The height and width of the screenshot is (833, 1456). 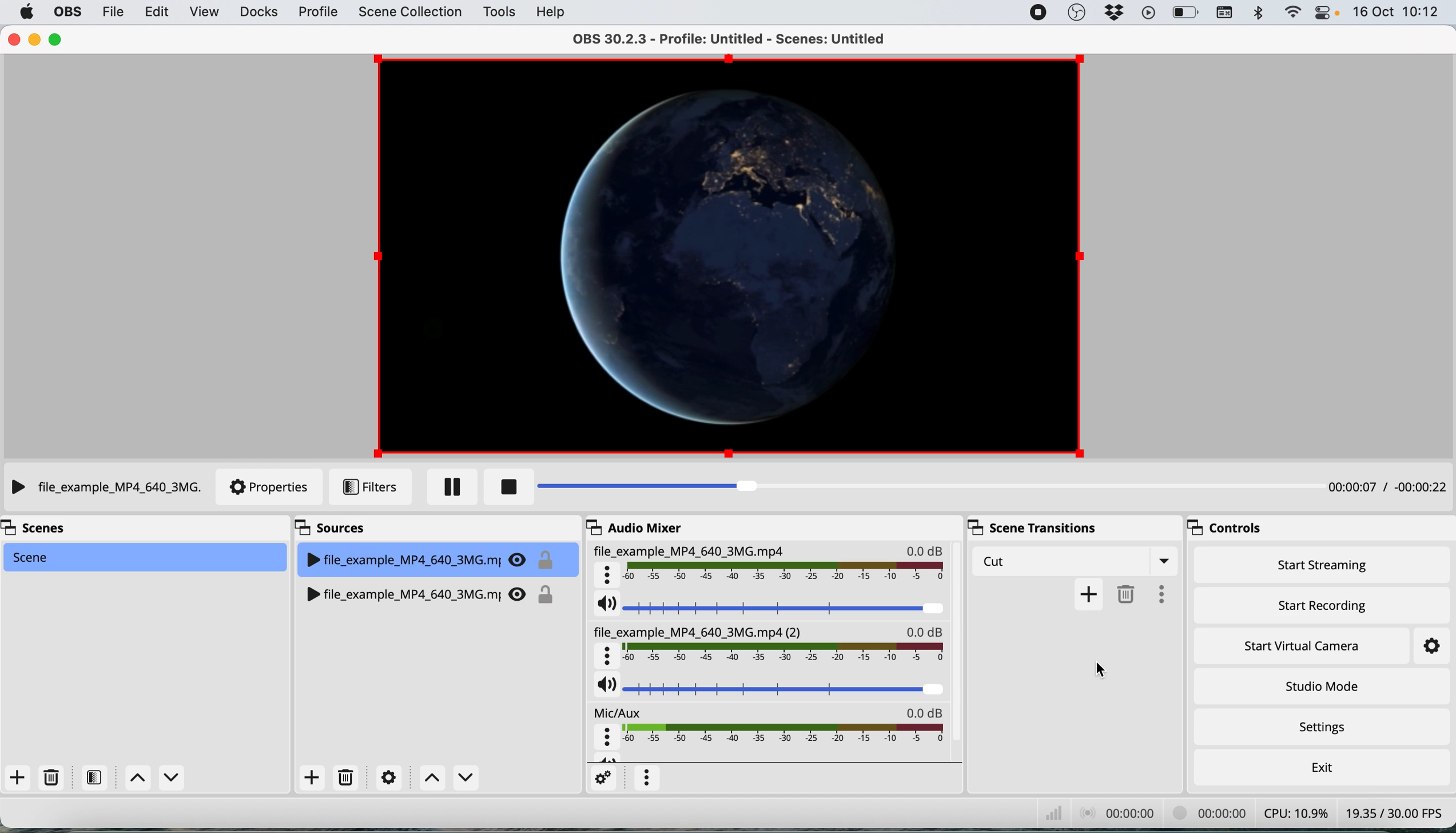 What do you see at coordinates (1434, 645) in the screenshot?
I see `settings` at bounding box center [1434, 645].